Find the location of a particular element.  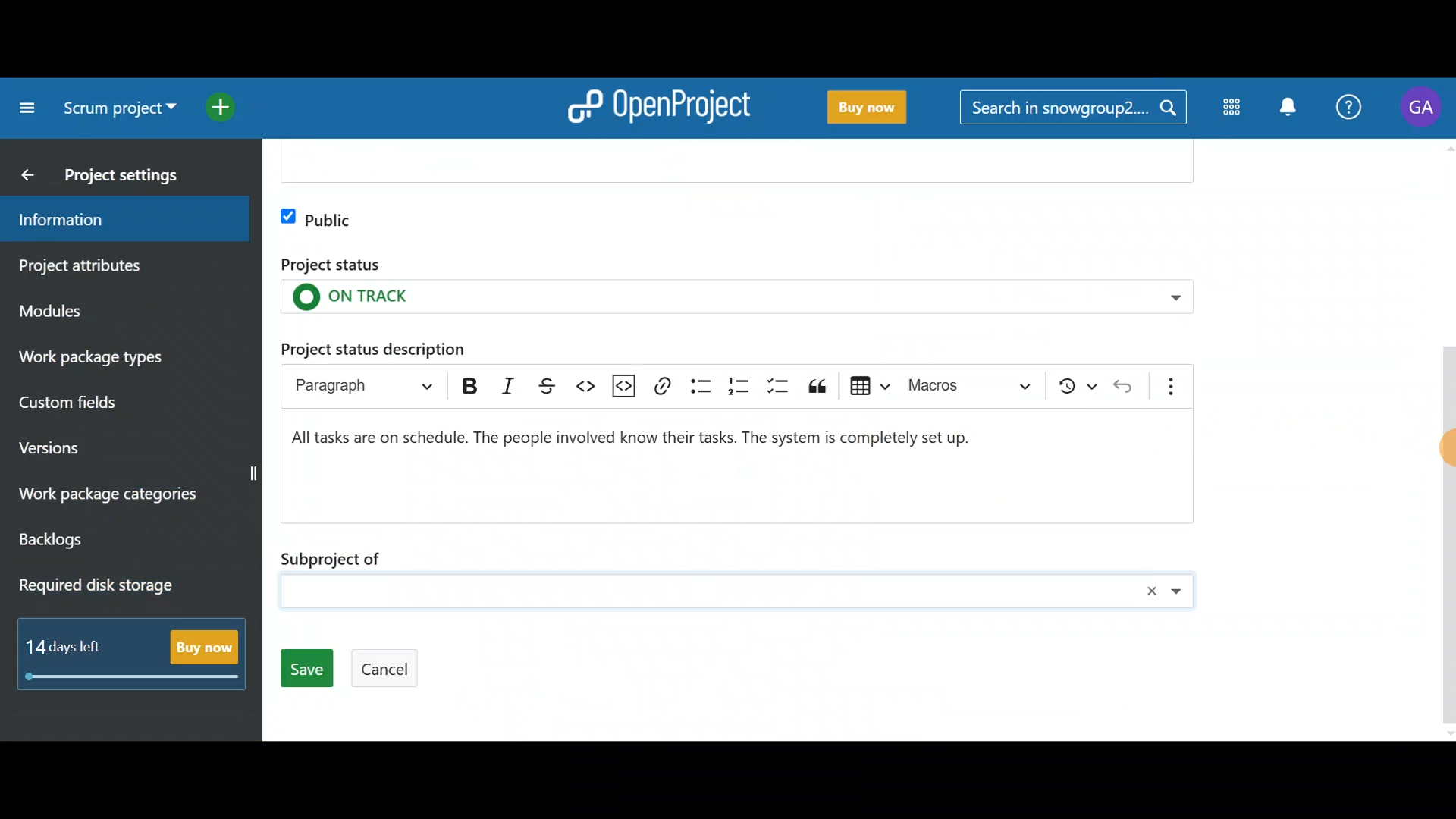

Show more items is located at coordinates (1174, 384).